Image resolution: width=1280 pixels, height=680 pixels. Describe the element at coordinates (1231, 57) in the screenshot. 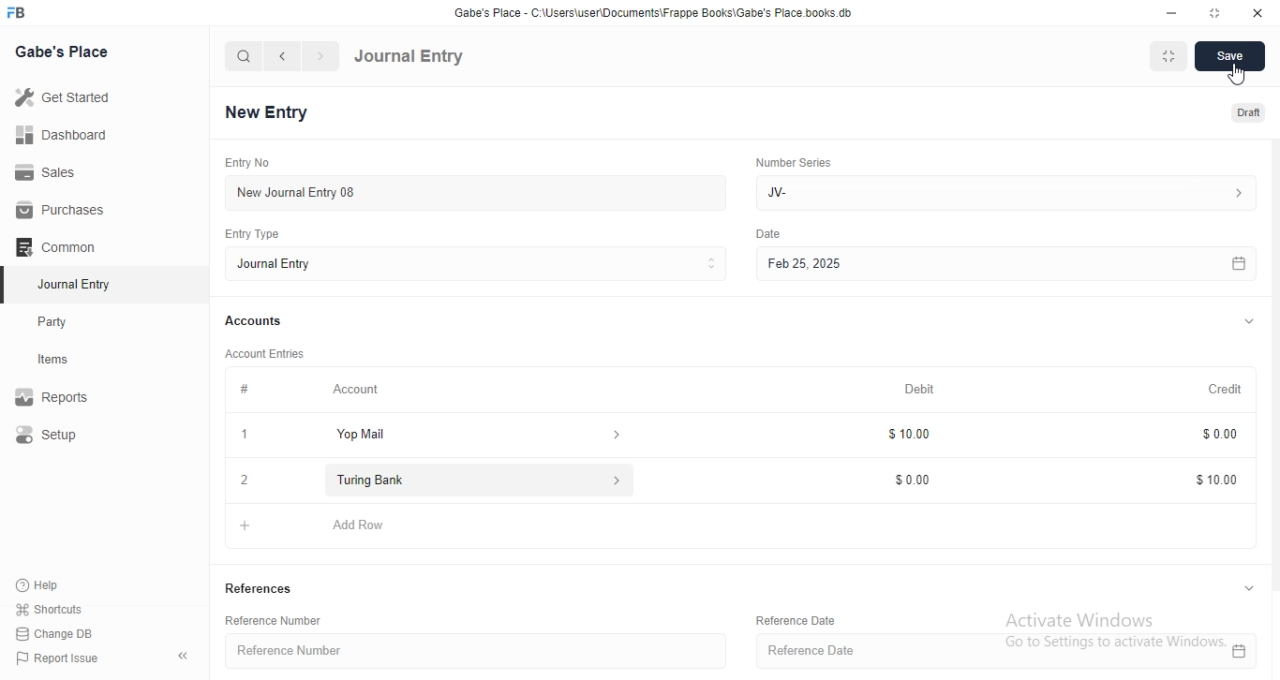

I see `Save` at that location.